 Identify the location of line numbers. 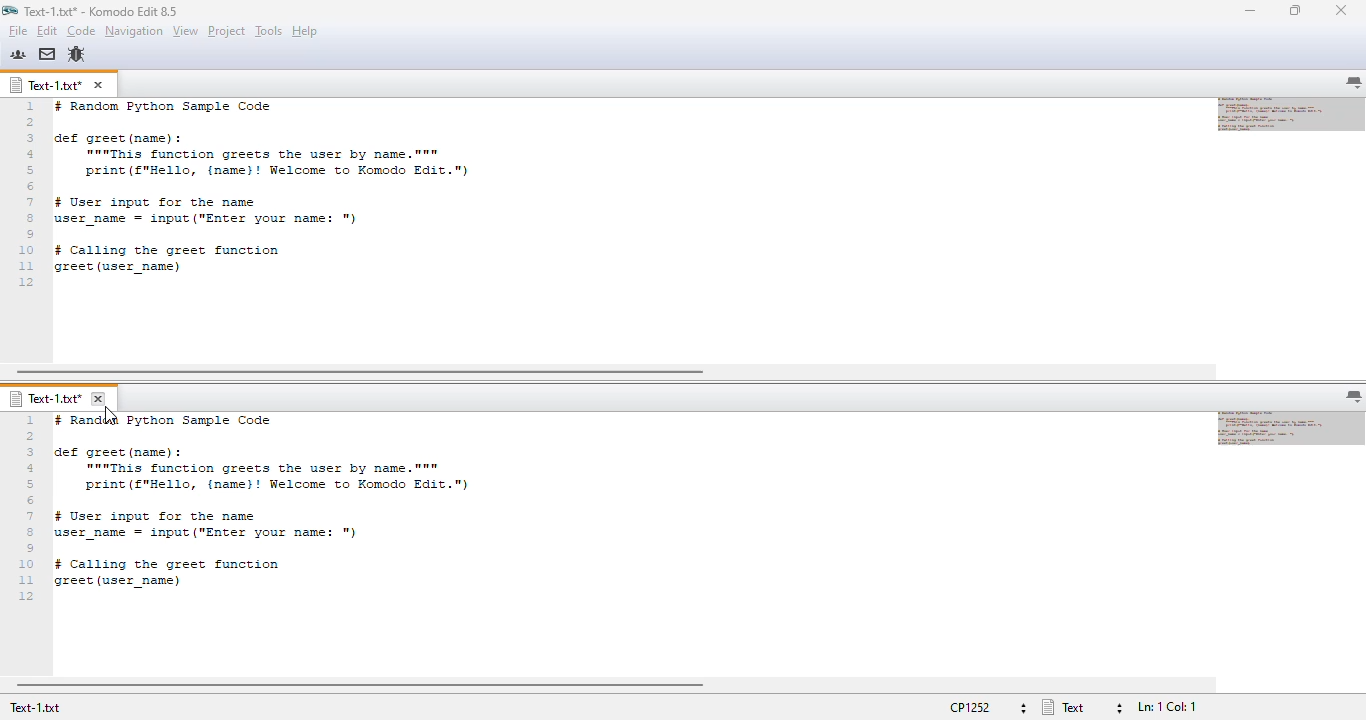
(29, 510).